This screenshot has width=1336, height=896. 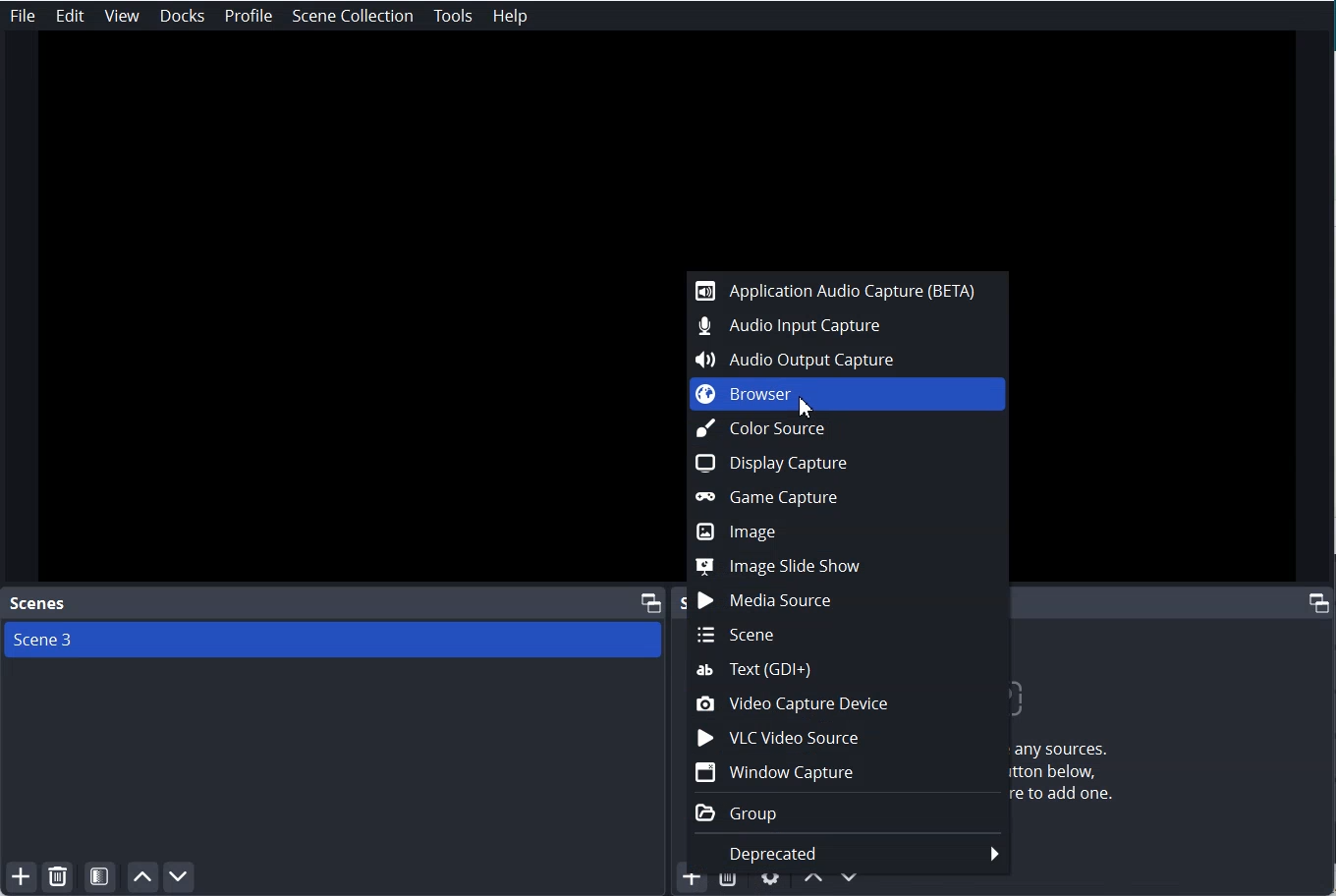 I want to click on Maximize, so click(x=651, y=601).